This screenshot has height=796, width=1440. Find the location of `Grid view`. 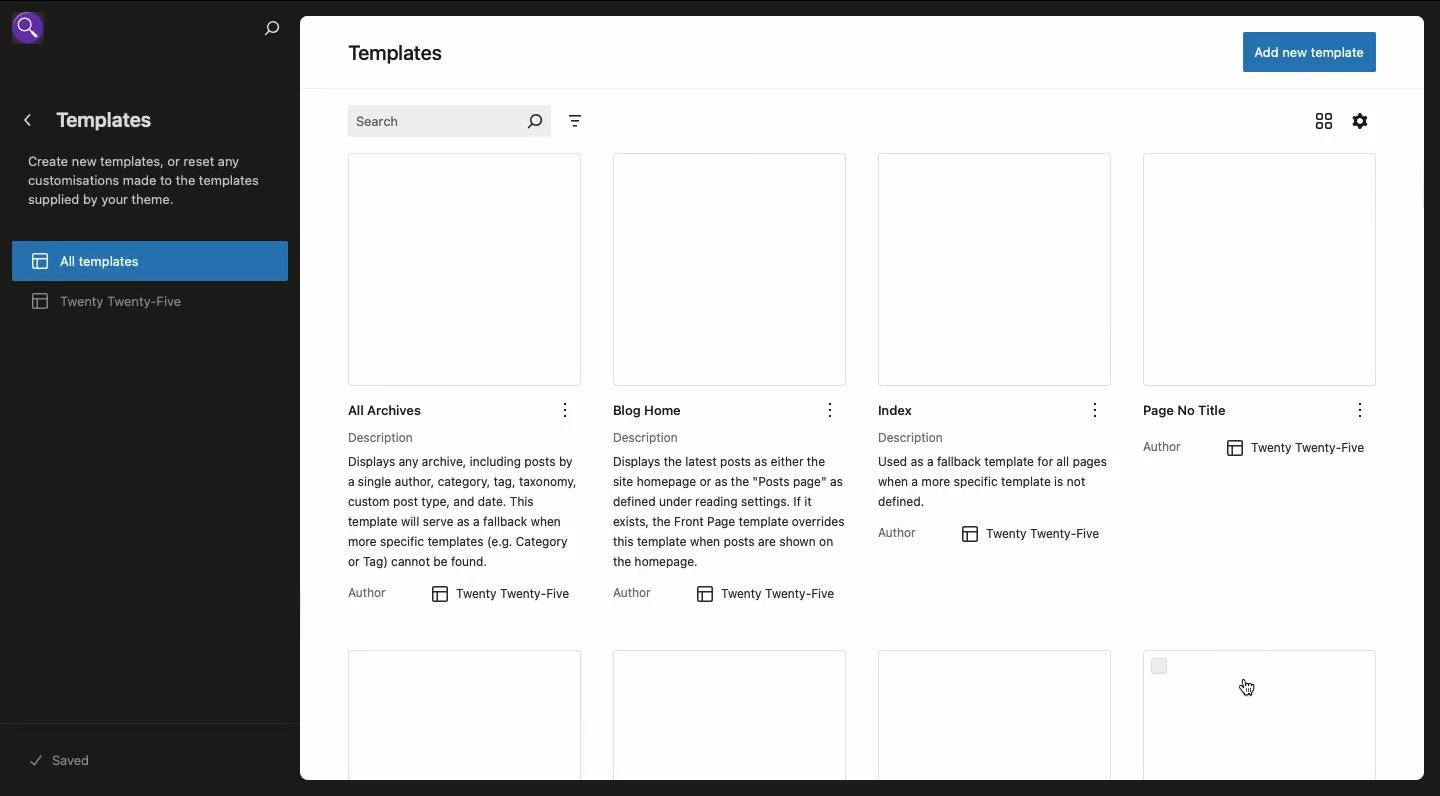

Grid view is located at coordinates (1326, 122).